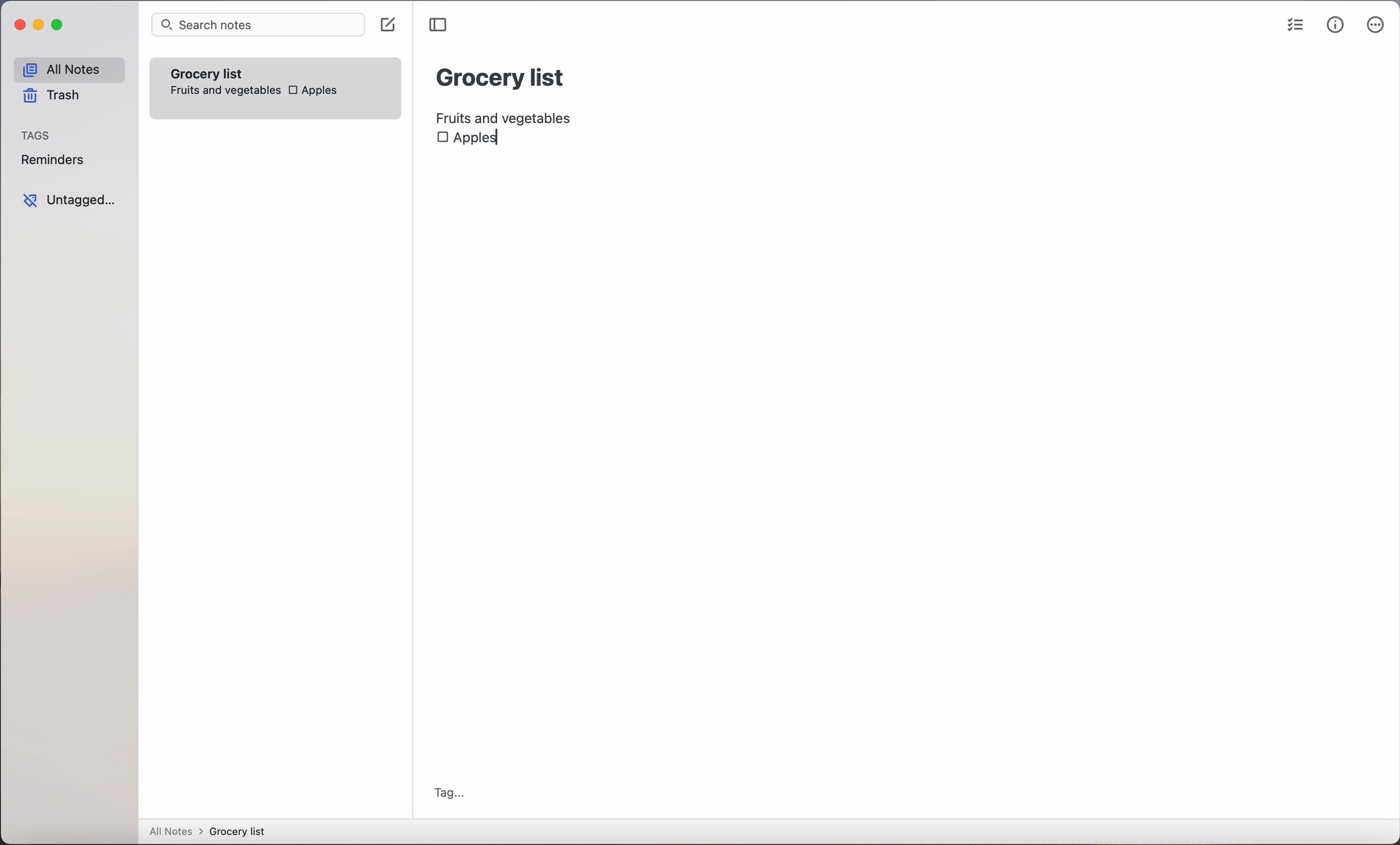 The width and height of the screenshot is (1400, 845). I want to click on fruits and vegetables, so click(509, 115).